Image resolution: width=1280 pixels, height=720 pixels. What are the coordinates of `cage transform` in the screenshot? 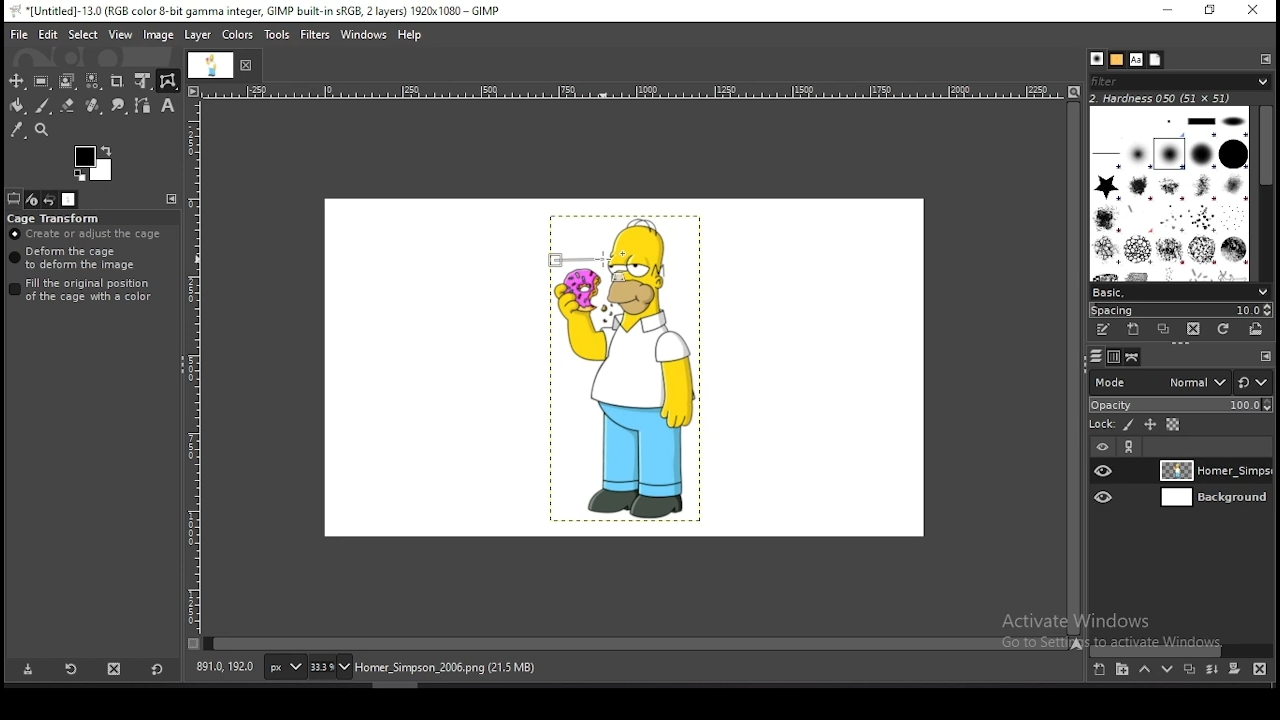 It's located at (55, 218).